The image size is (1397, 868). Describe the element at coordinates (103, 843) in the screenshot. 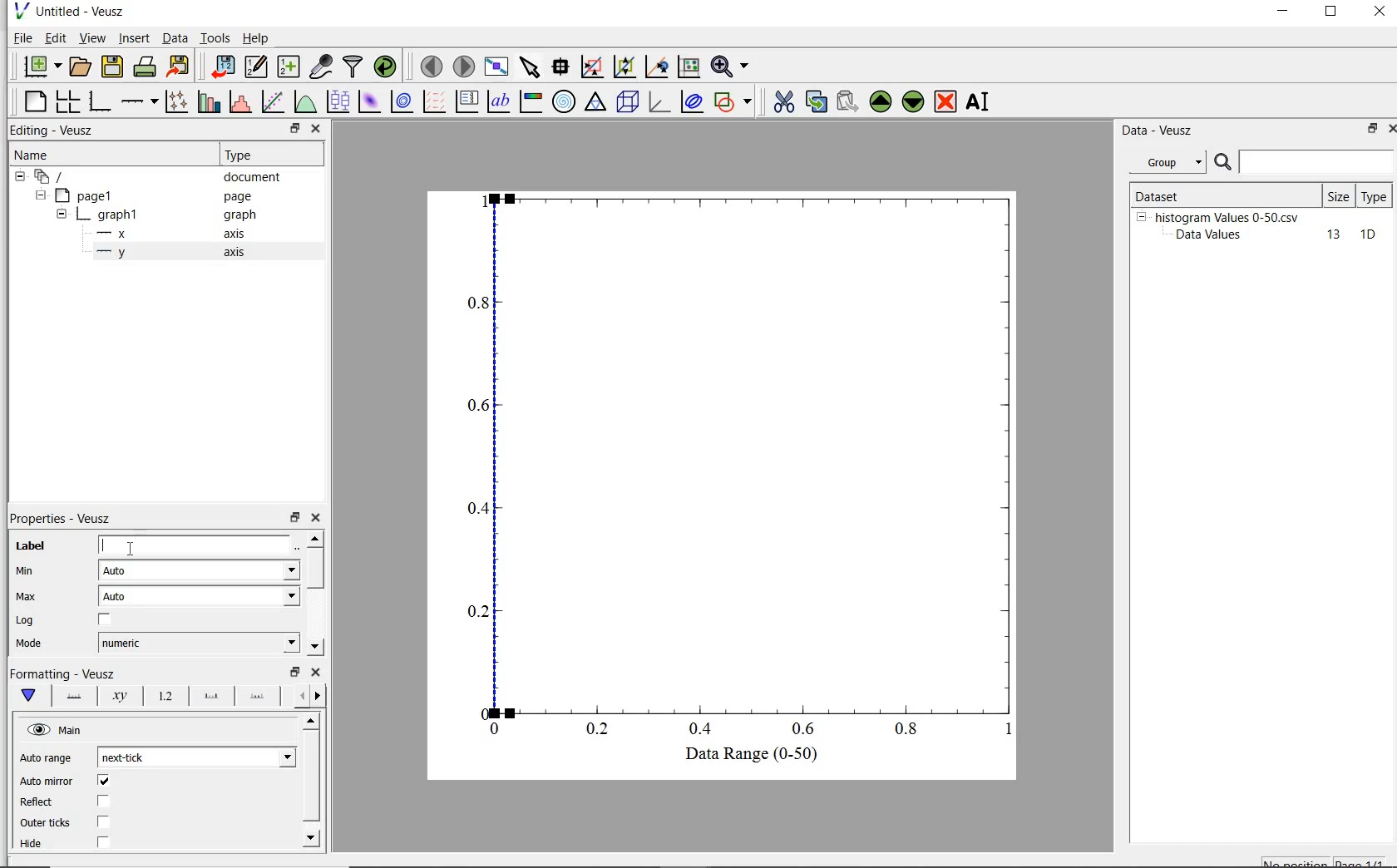

I see `checkbox` at that location.